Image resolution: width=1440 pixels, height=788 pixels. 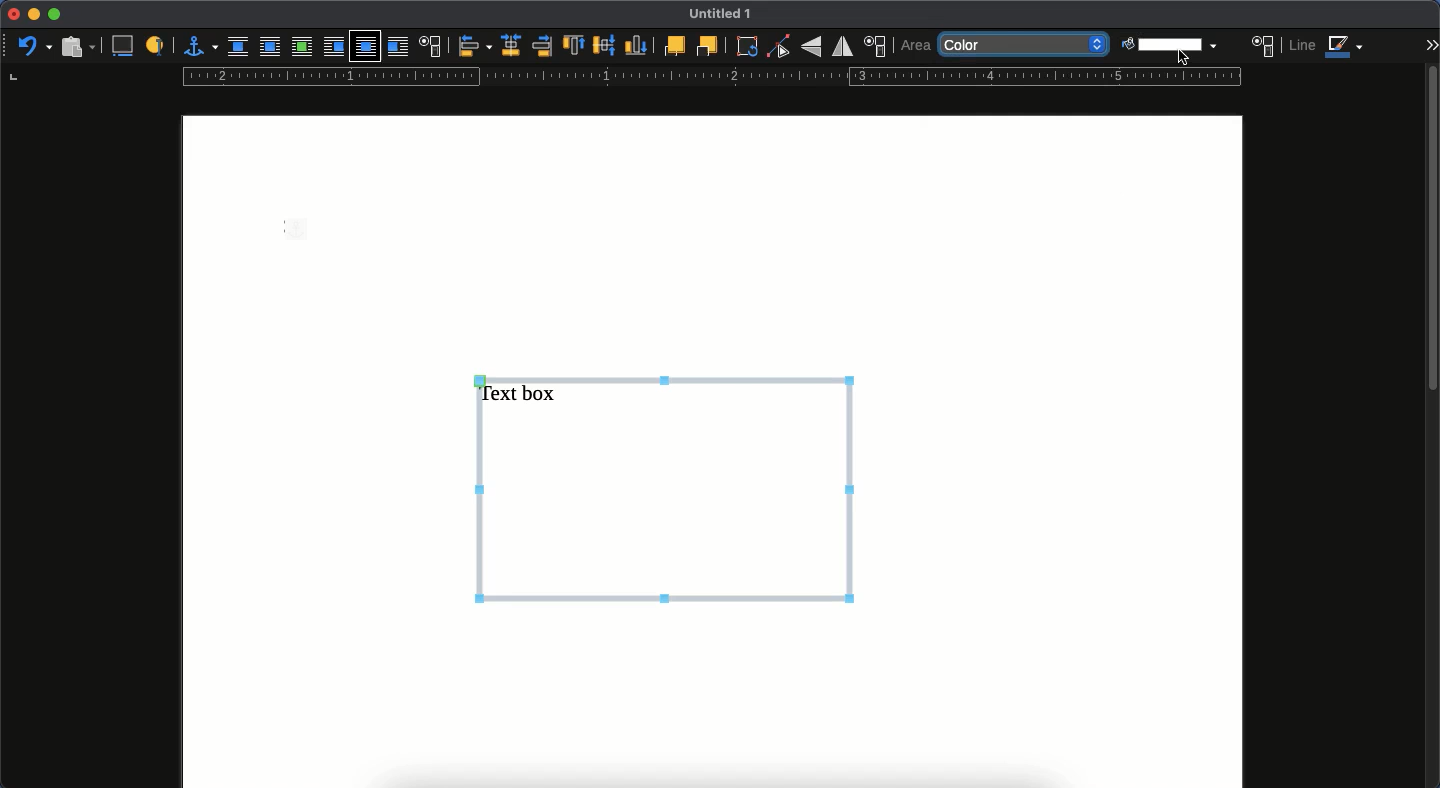 I want to click on rotate, so click(x=747, y=48).